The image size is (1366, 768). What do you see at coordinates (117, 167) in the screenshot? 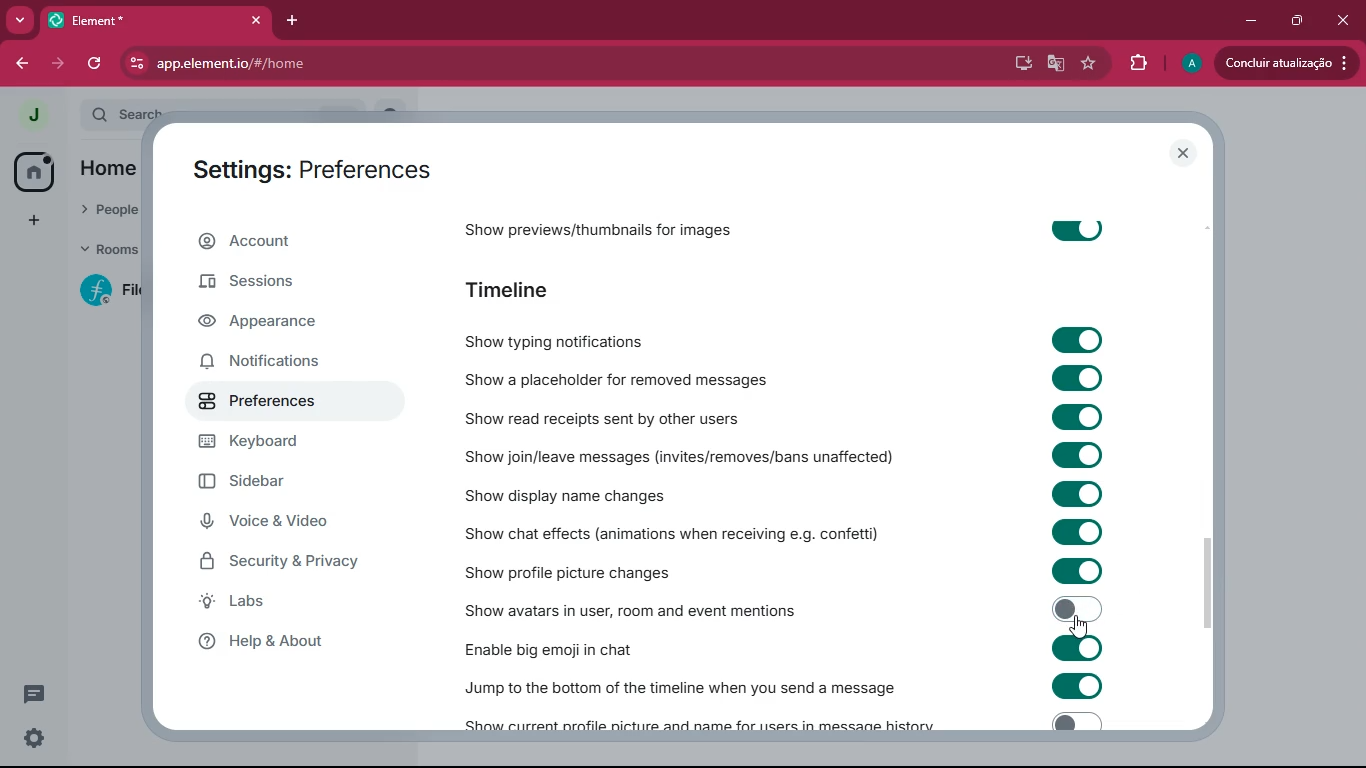
I see `home` at bounding box center [117, 167].